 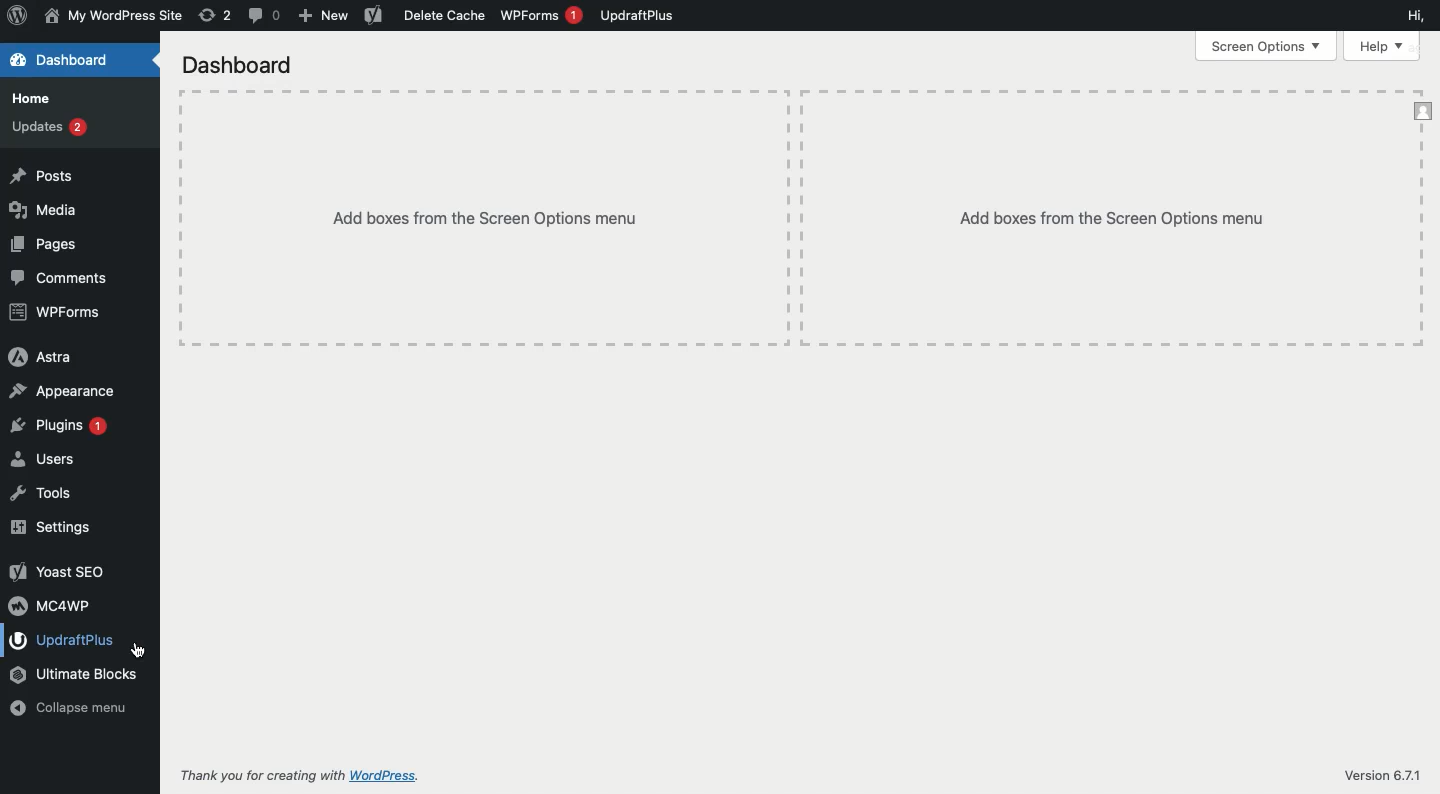 What do you see at coordinates (111, 16) in the screenshot?
I see `WordPress Site` at bounding box center [111, 16].